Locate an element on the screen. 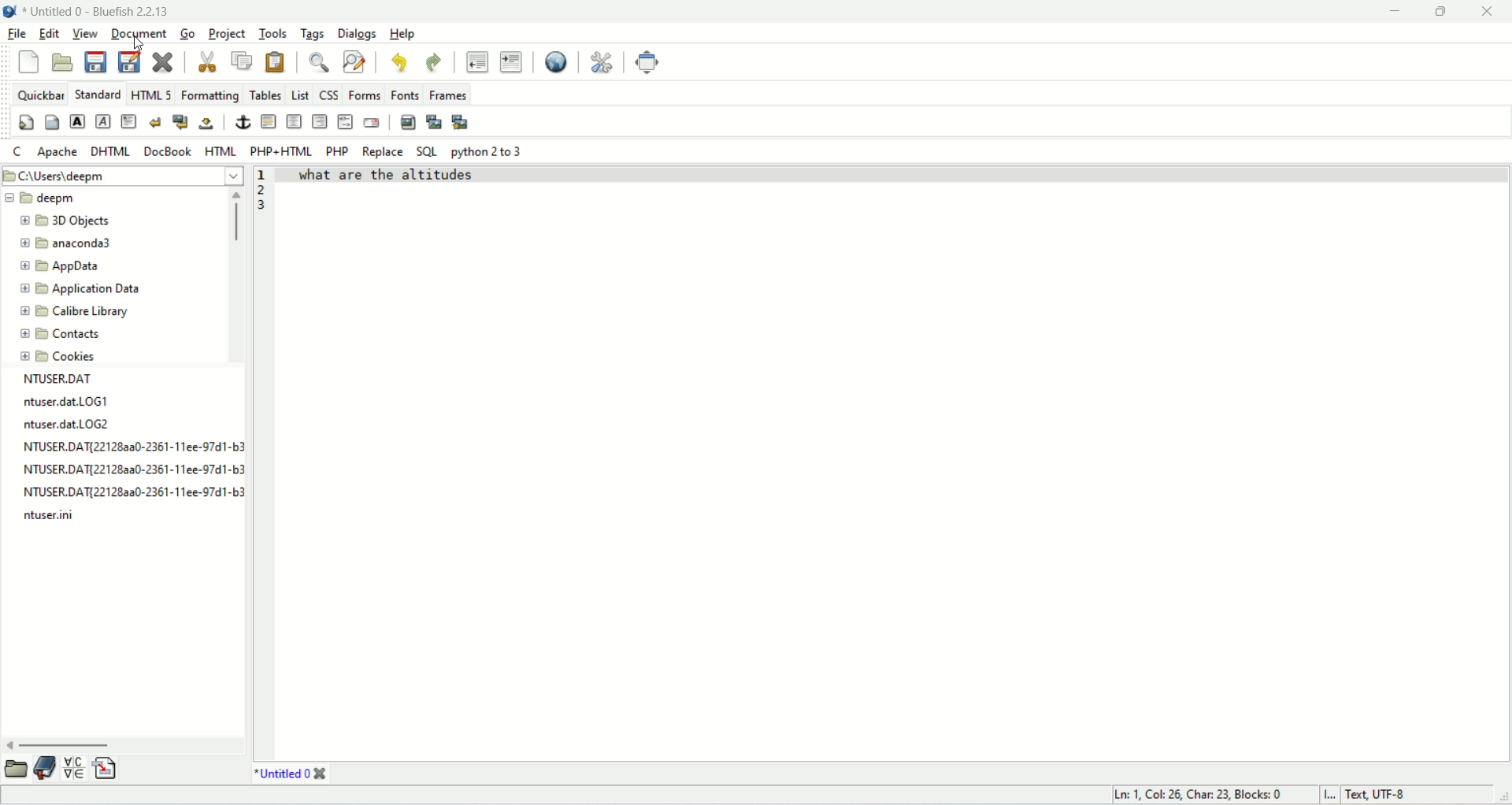  title is located at coordinates (292, 774).